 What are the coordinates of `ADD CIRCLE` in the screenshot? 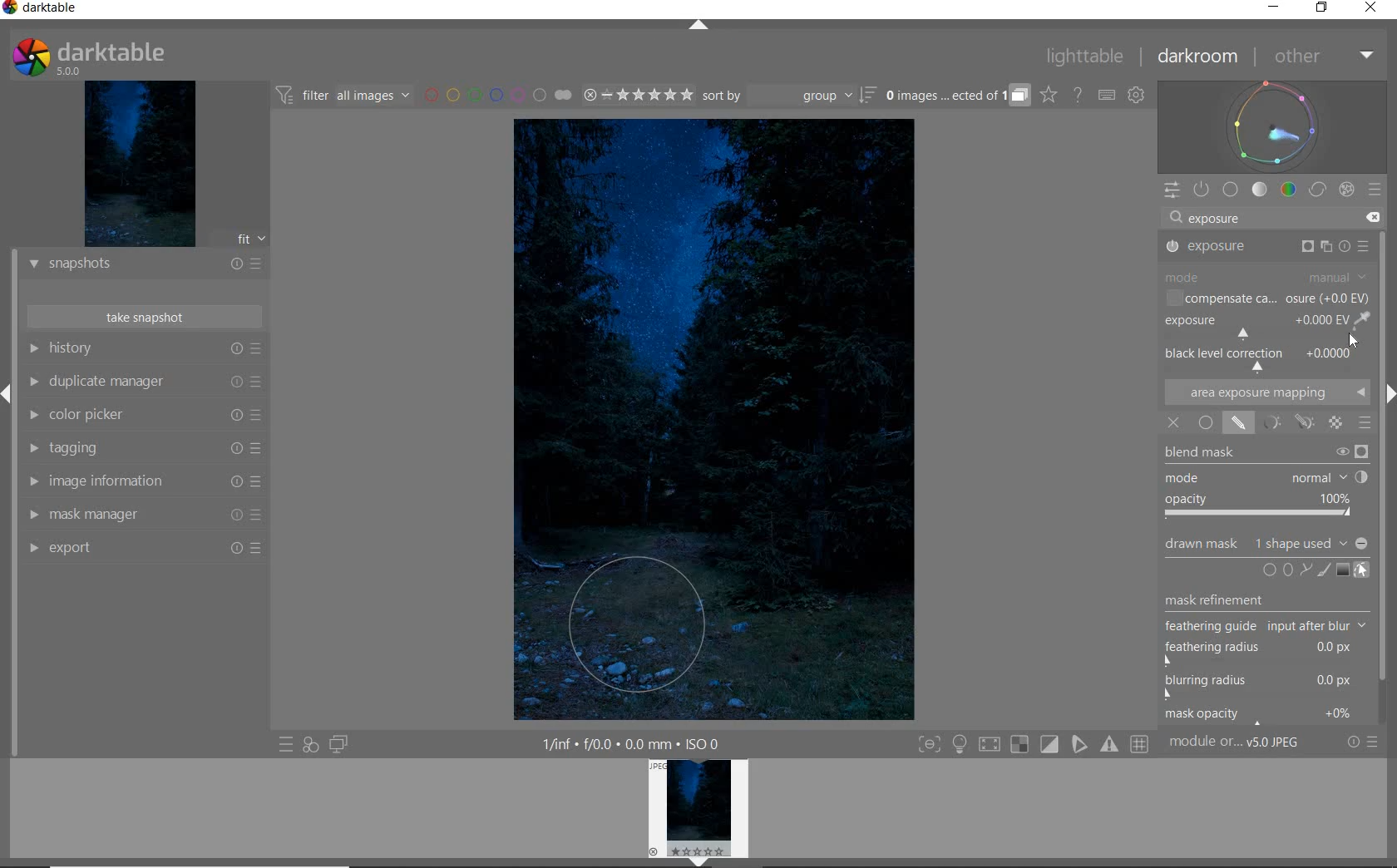 It's located at (1271, 572).